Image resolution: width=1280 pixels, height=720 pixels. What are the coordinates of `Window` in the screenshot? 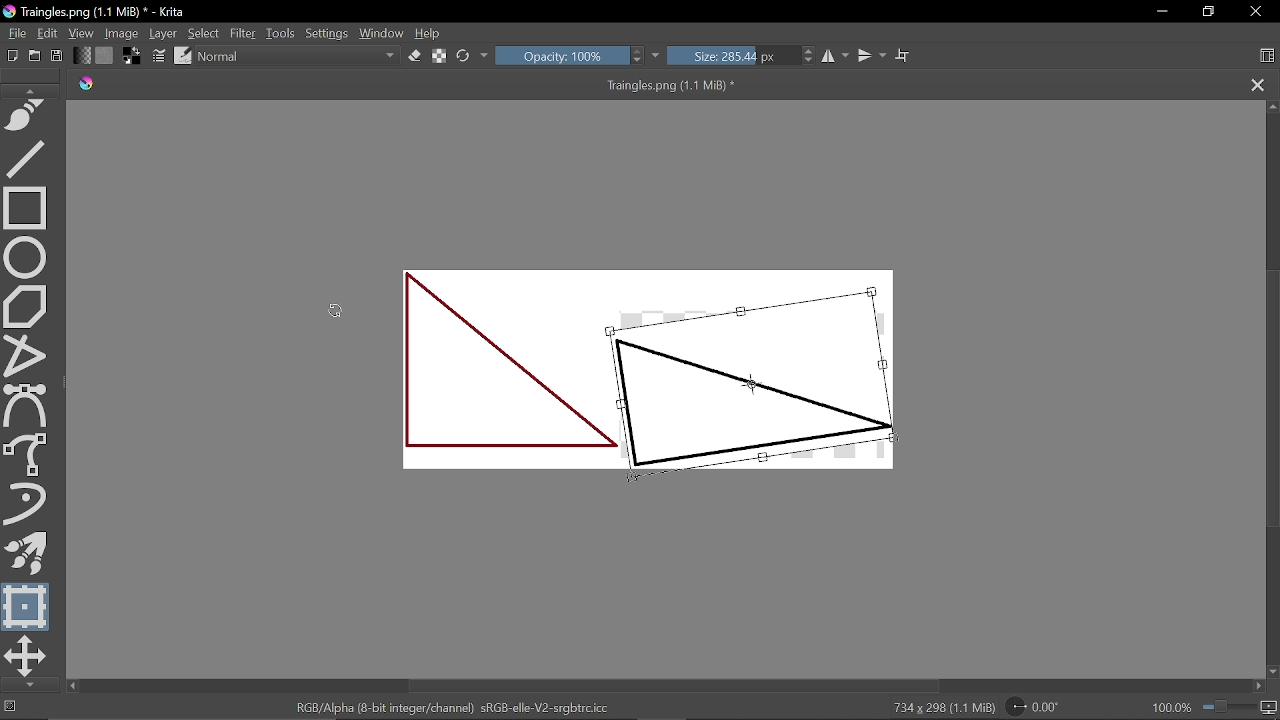 It's located at (381, 34).